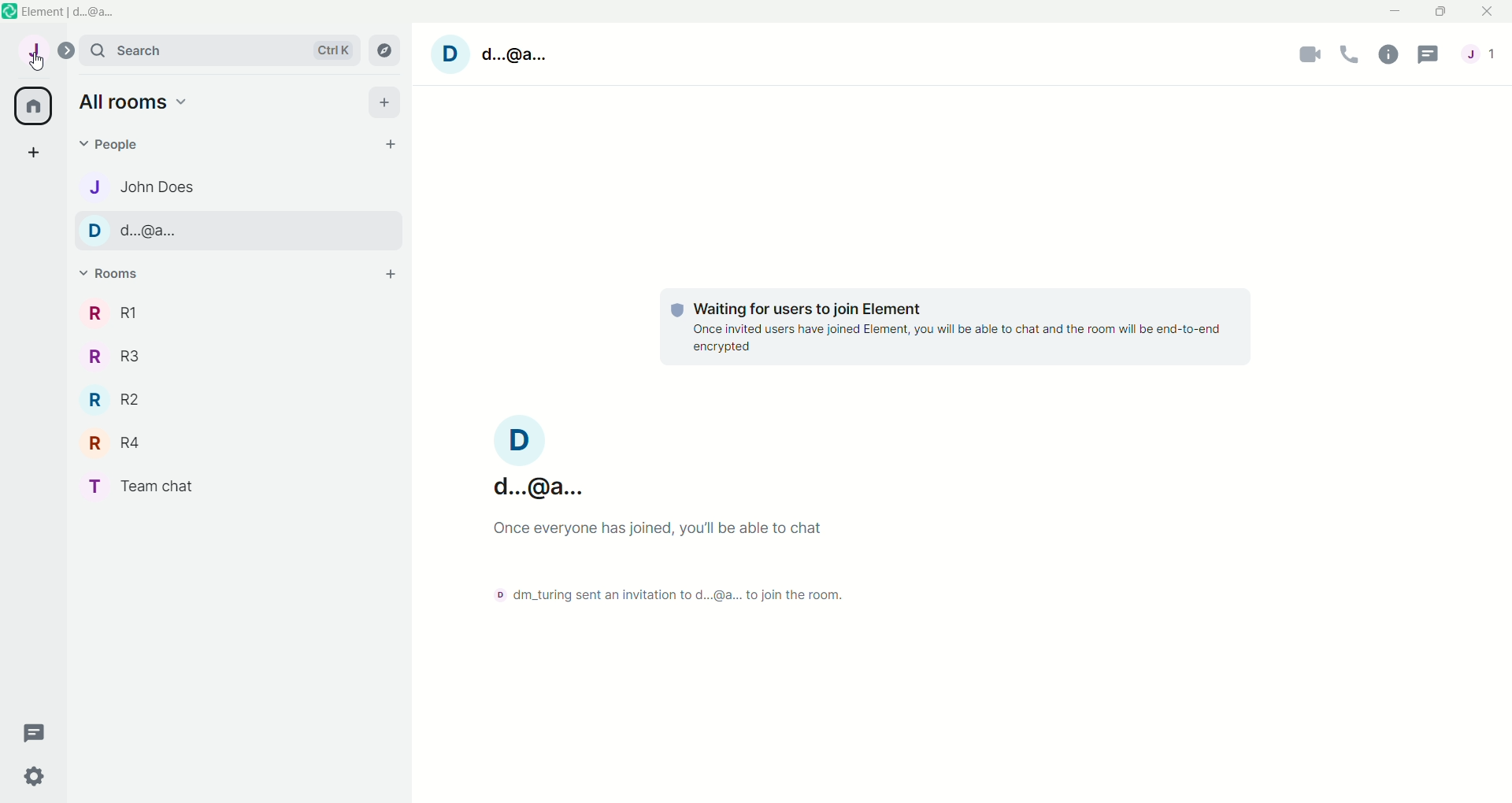 This screenshot has width=1512, height=803. I want to click on info, so click(1388, 56).